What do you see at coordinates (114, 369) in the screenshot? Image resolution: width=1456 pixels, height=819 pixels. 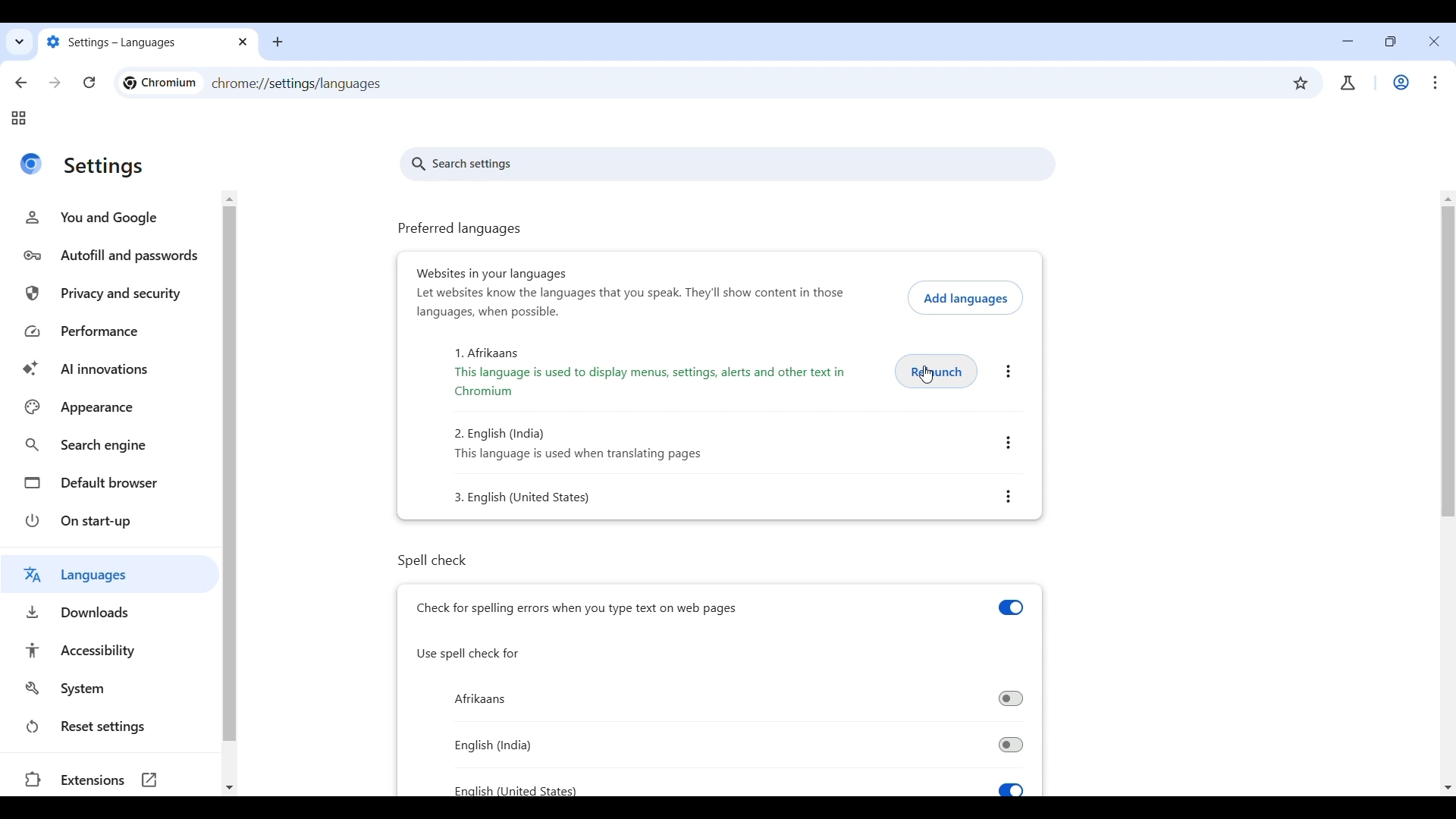 I see `AI innovations` at bounding box center [114, 369].